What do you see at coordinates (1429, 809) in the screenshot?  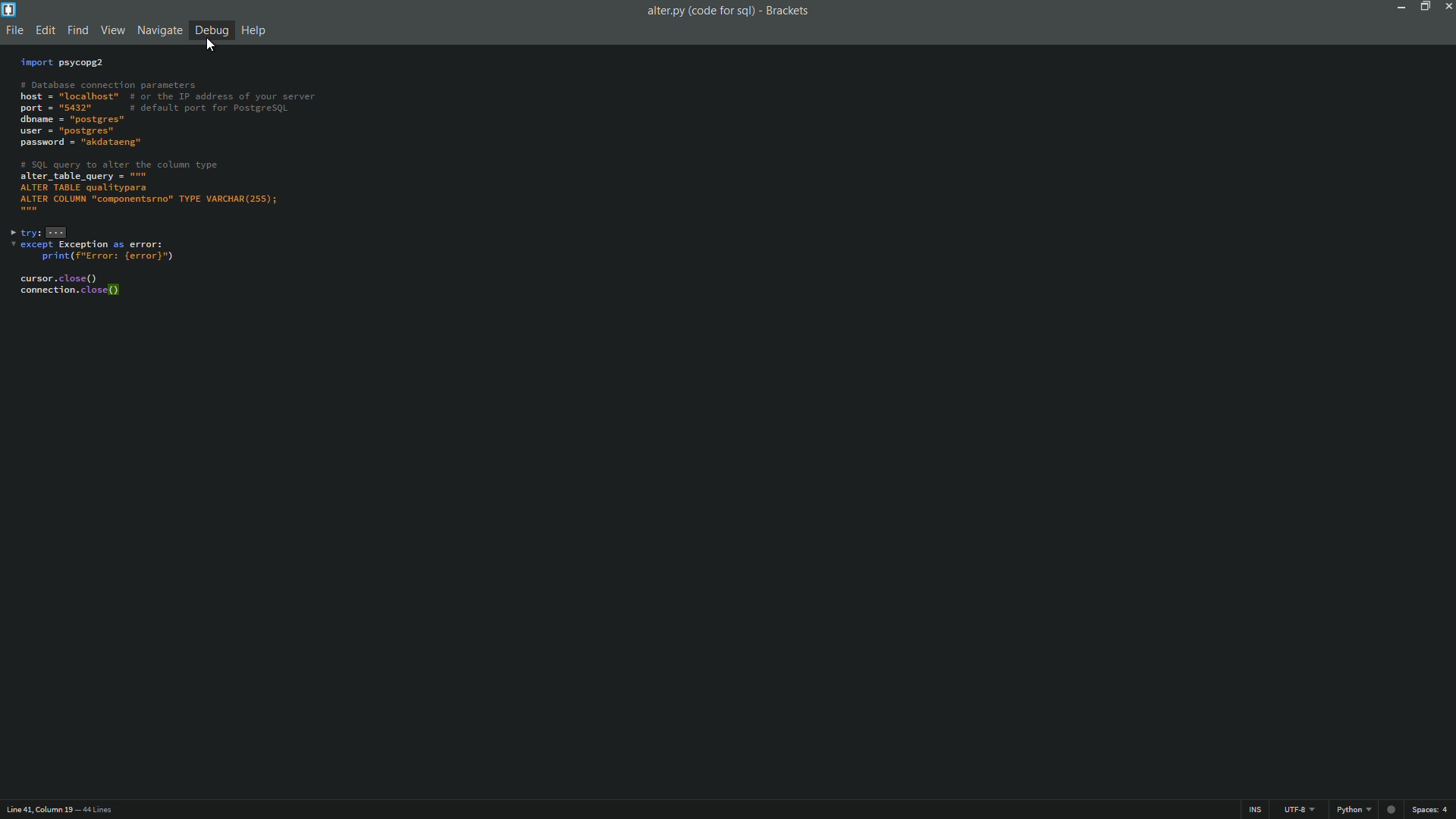 I see `space` at bounding box center [1429, 809].